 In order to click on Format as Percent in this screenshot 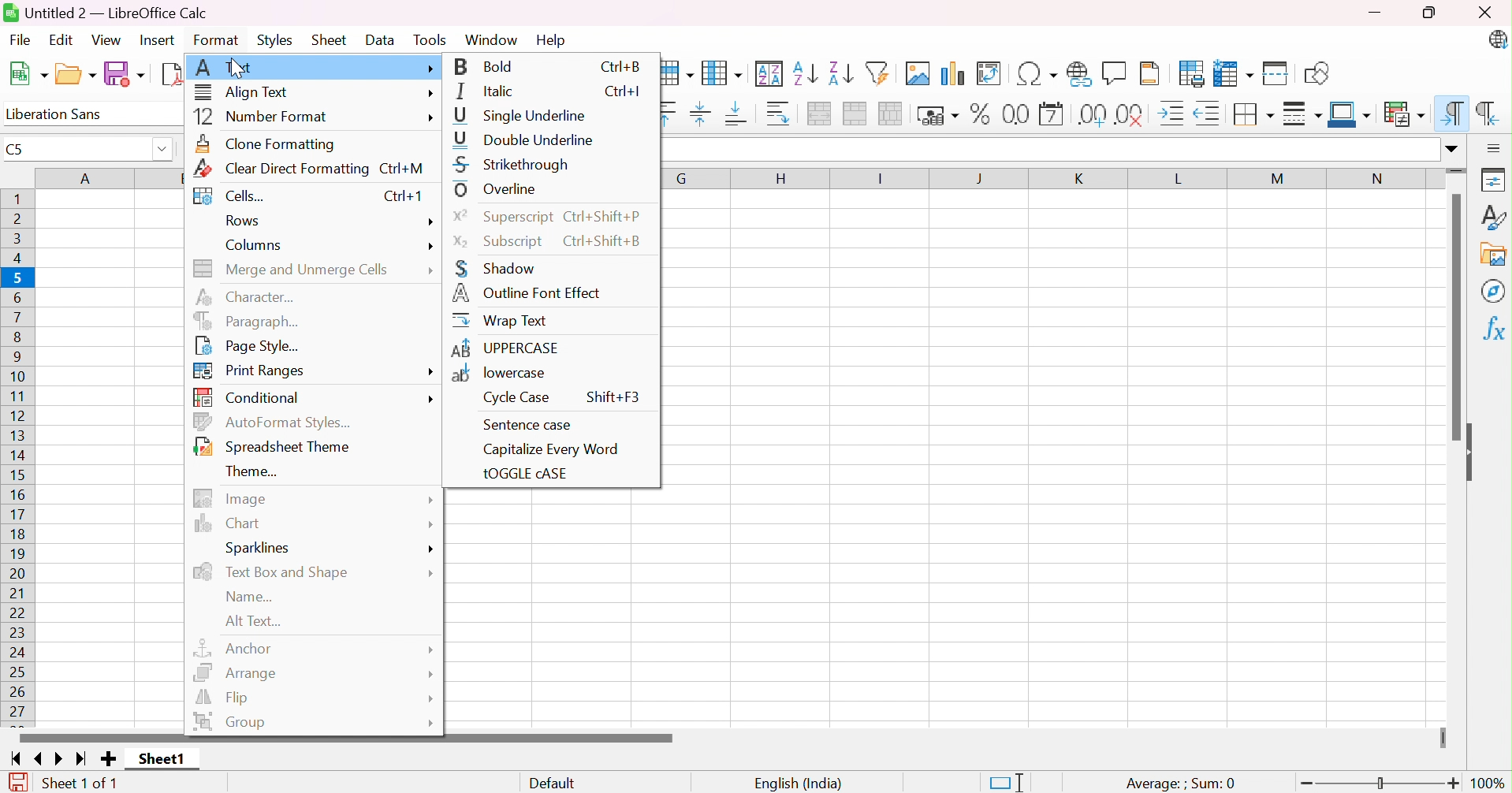, I will do `click(981, 113)`.